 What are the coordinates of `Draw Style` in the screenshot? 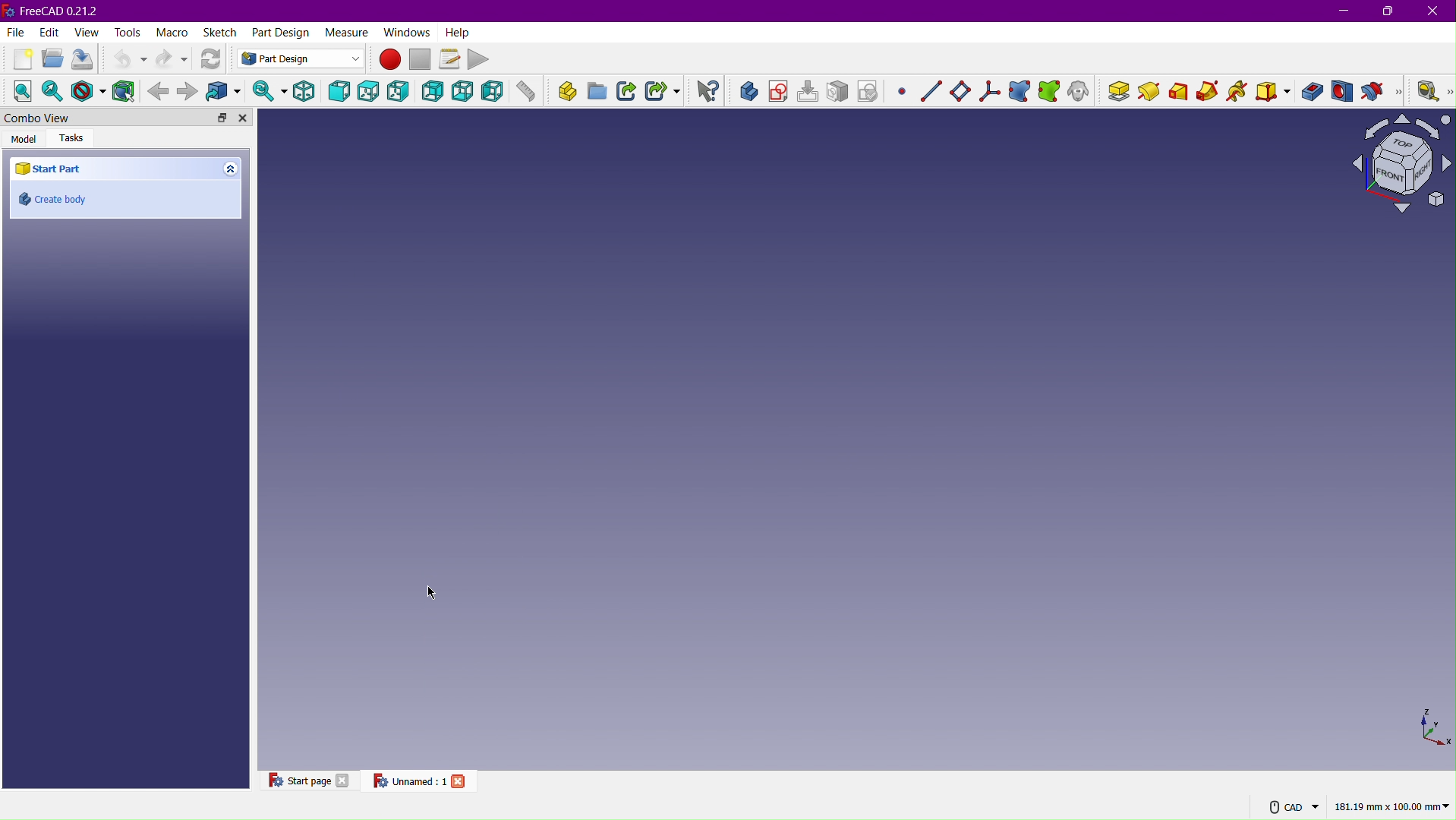 It's located at (91, 91).